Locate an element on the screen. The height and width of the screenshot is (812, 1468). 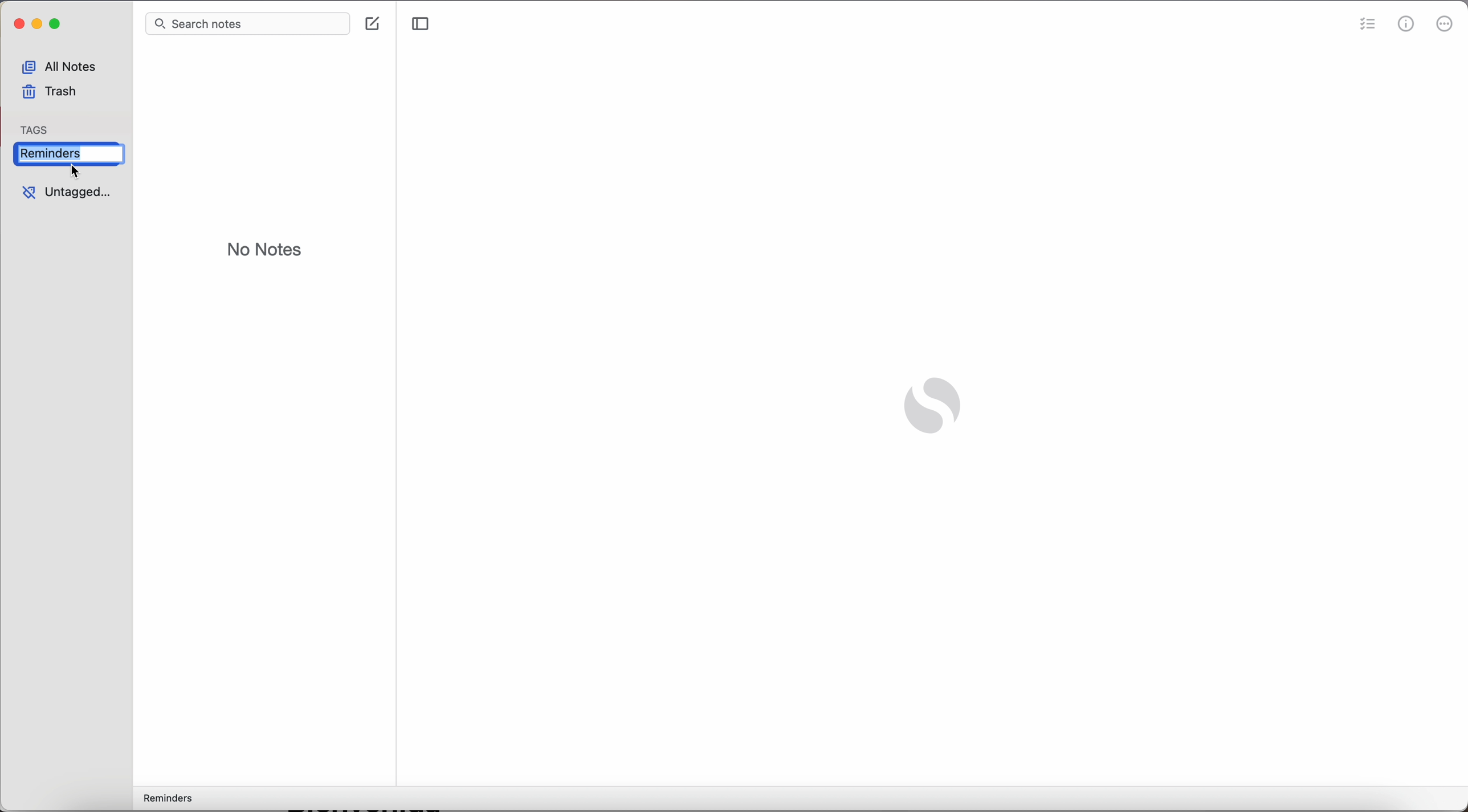
maximize Simplenote is located at coordinates (58, 26).